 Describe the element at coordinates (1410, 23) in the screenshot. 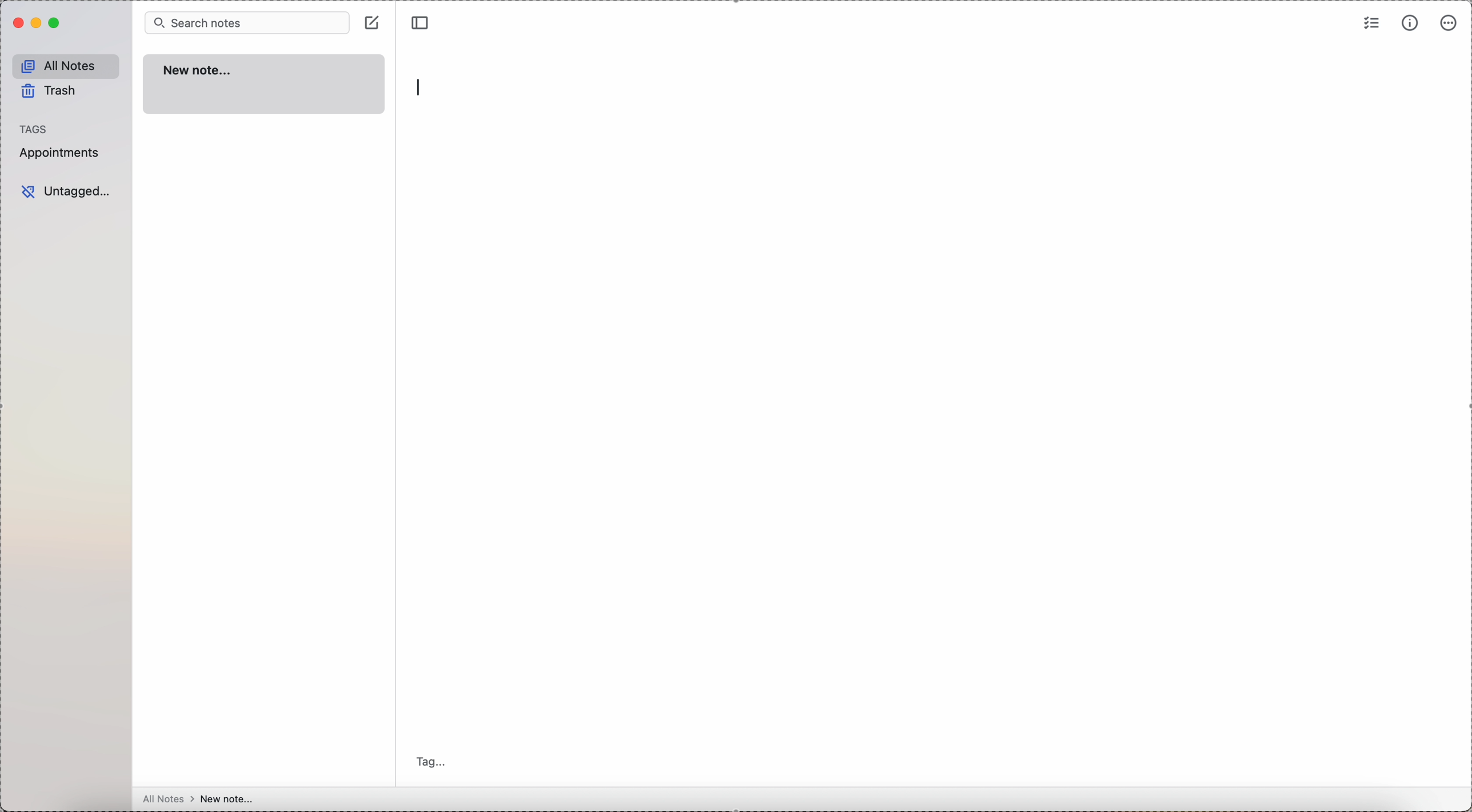

I see `metrics` at that location.